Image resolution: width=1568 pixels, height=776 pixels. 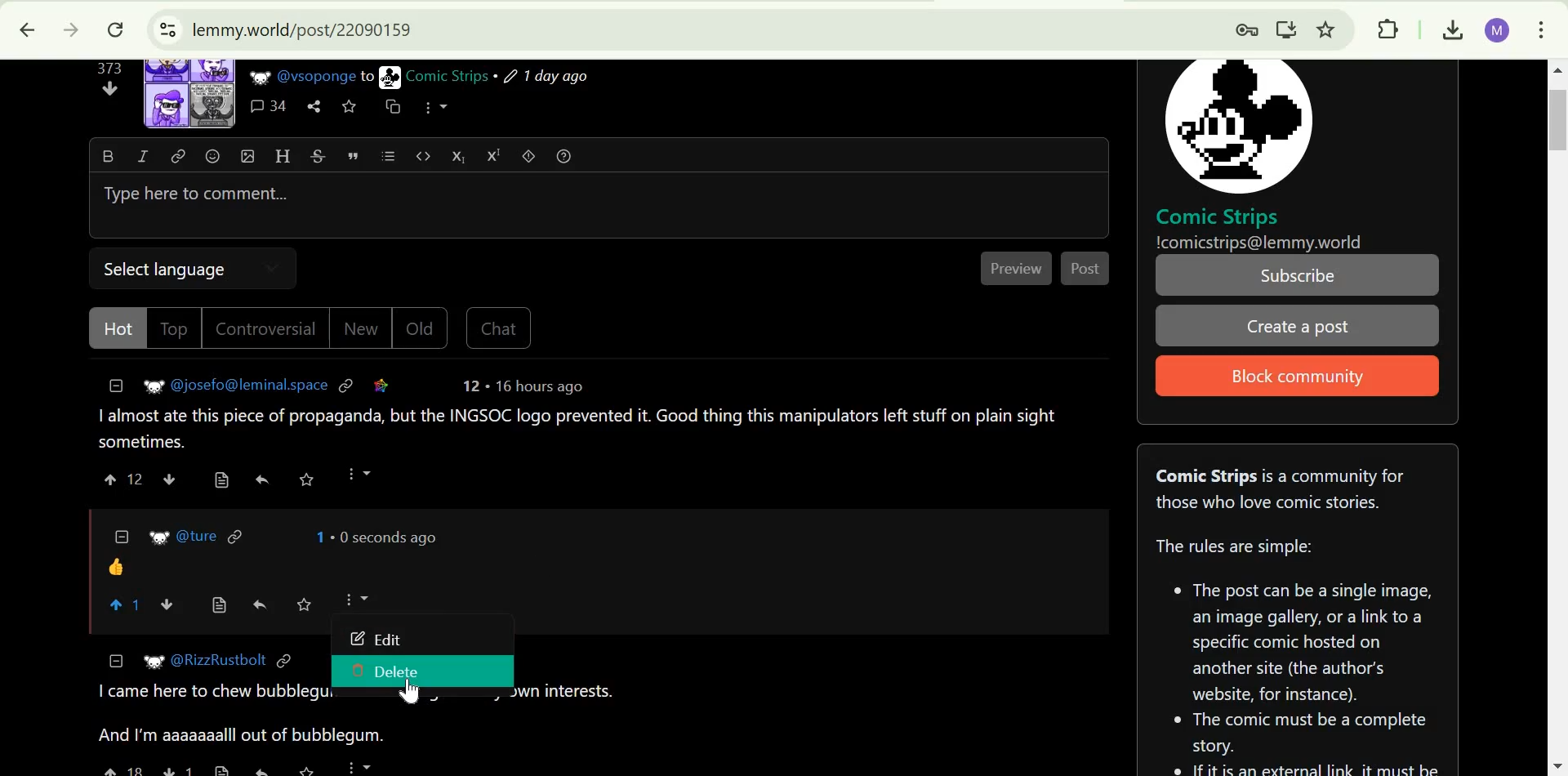 I want to click on 16 hours ago, so click(x=537, y=386).